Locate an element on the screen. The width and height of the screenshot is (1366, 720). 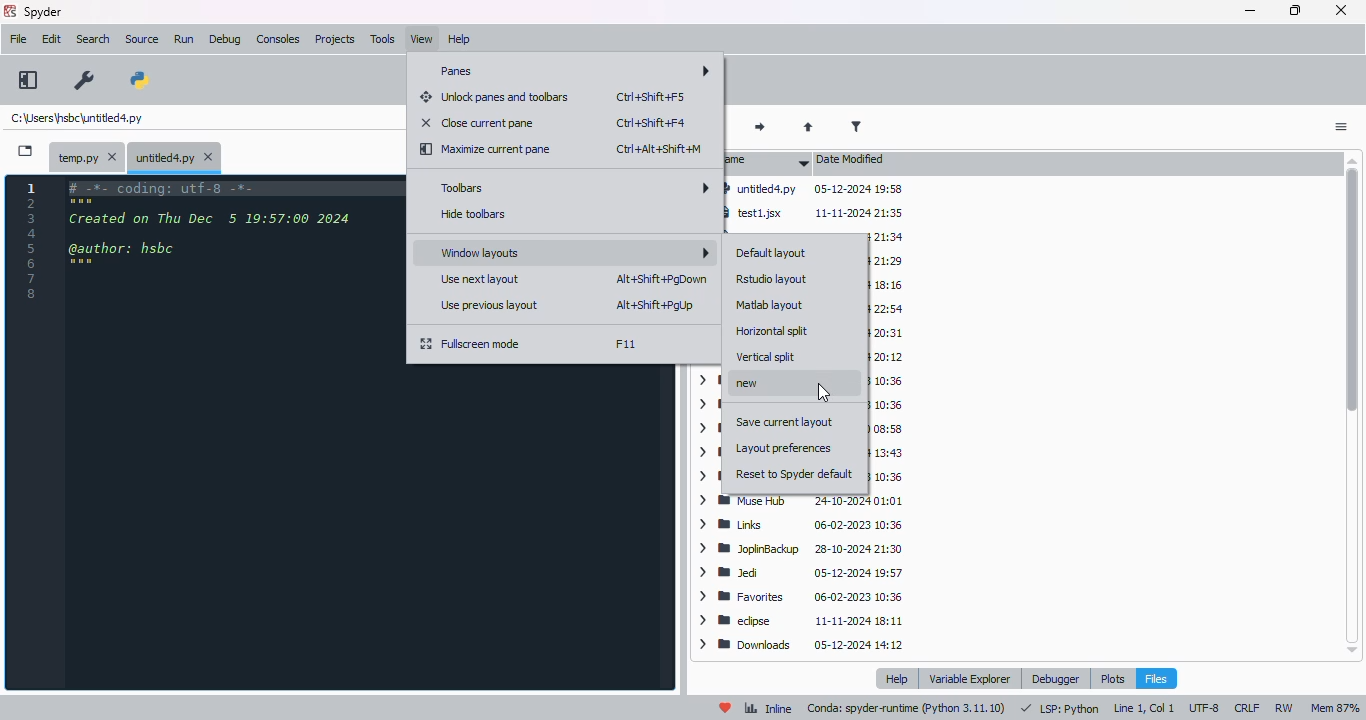
date modified is located at coordinates (851, 158).